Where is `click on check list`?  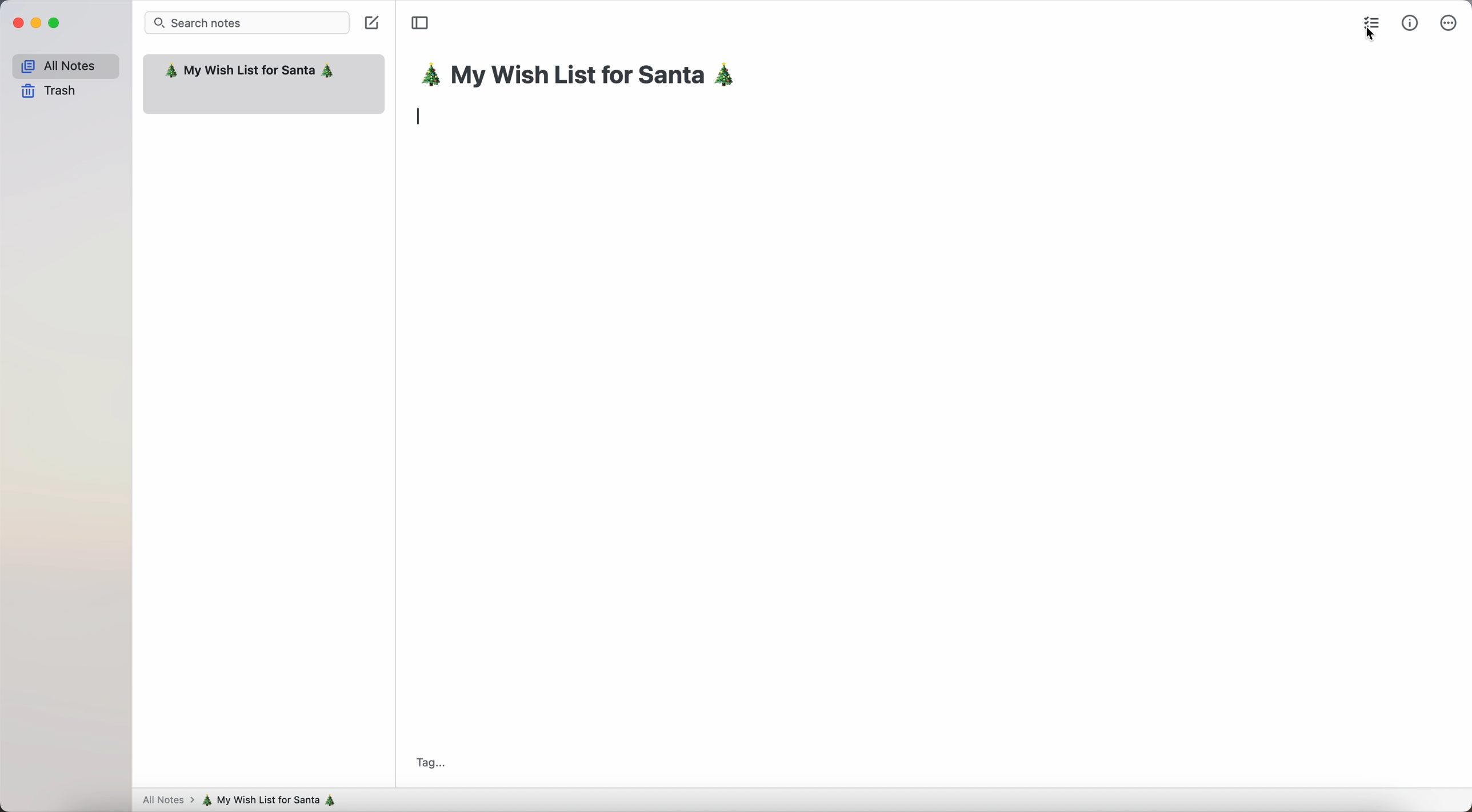 click on check list is located at coordinates (1374, 27).